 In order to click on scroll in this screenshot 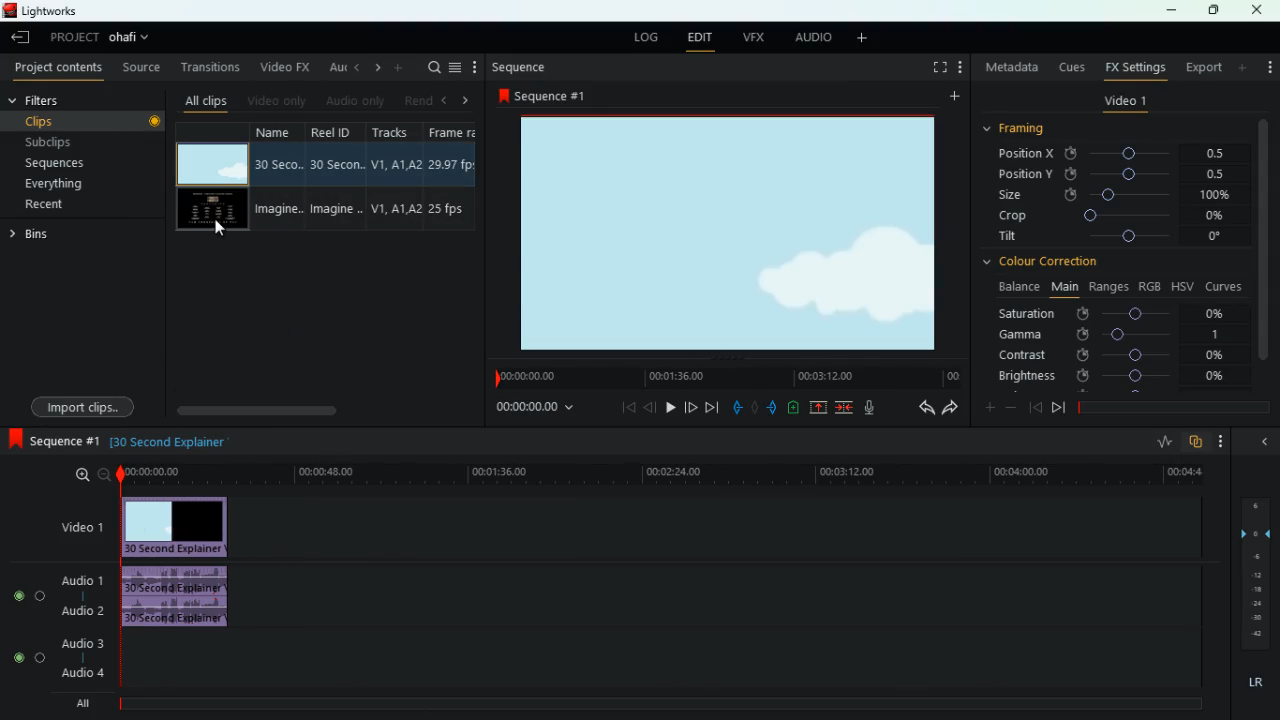, I will do `click(321, 410)`.